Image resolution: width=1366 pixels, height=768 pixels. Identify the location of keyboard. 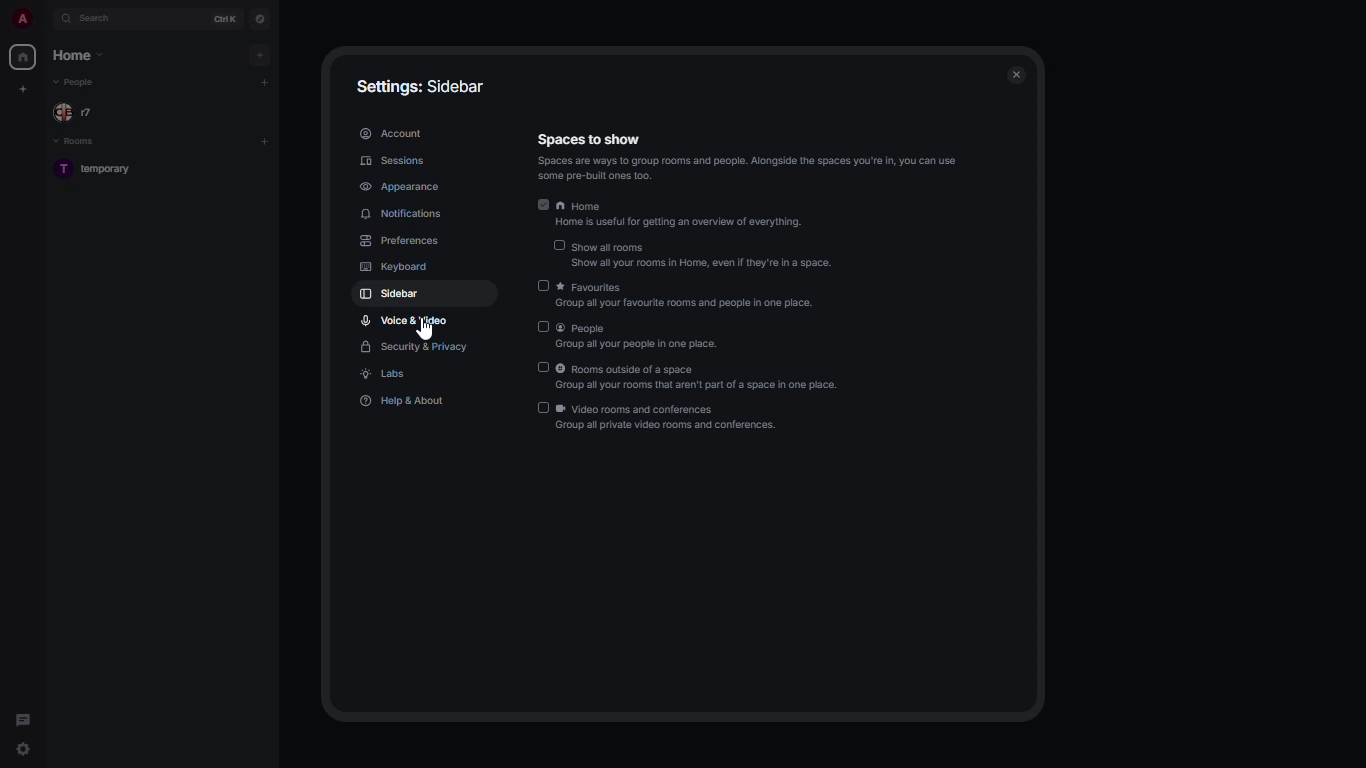
(394, 268).